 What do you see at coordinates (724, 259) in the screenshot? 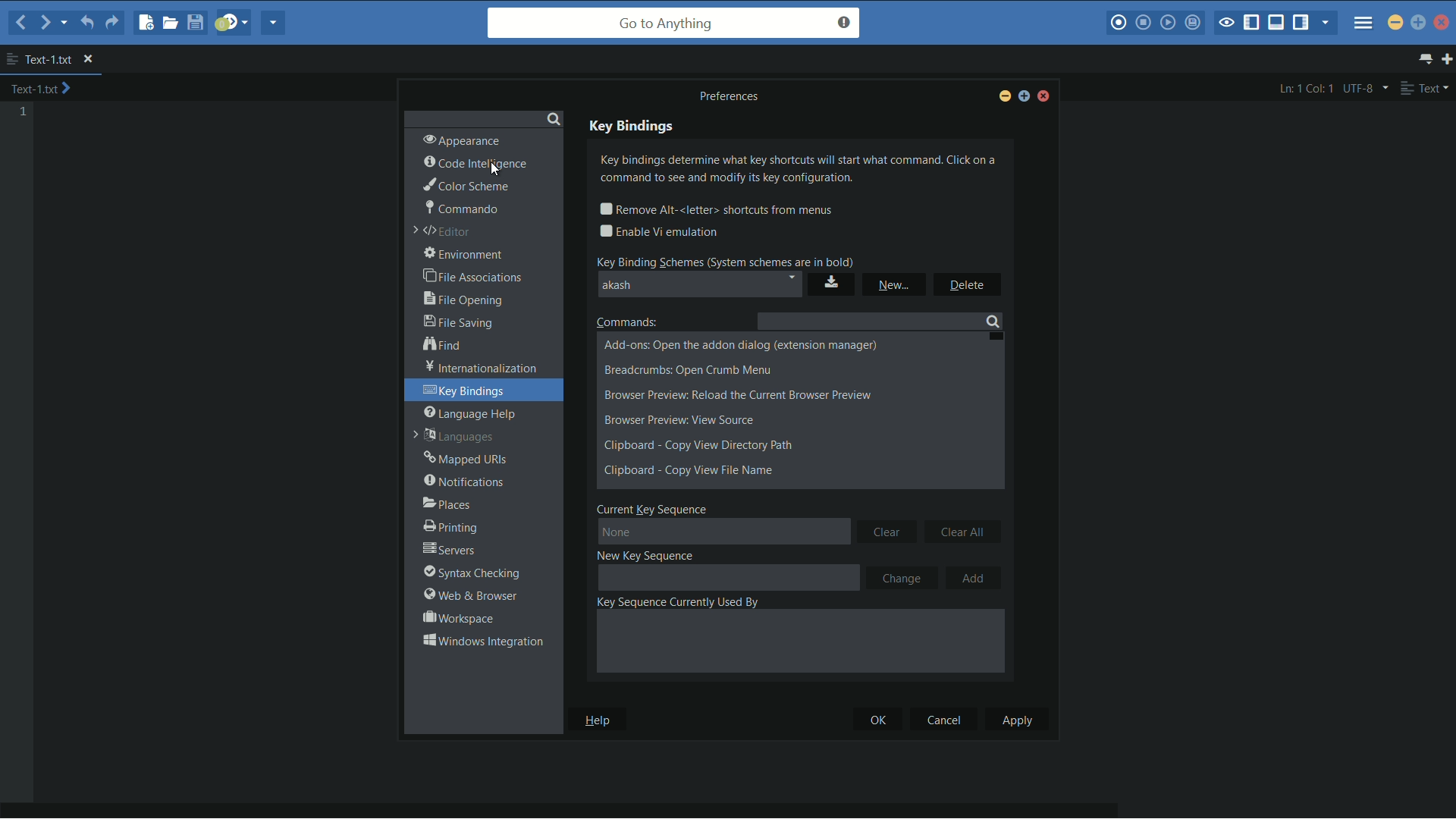
I see `key binding schemes (system schemes are in bold)` at bounding box center [724, 259].